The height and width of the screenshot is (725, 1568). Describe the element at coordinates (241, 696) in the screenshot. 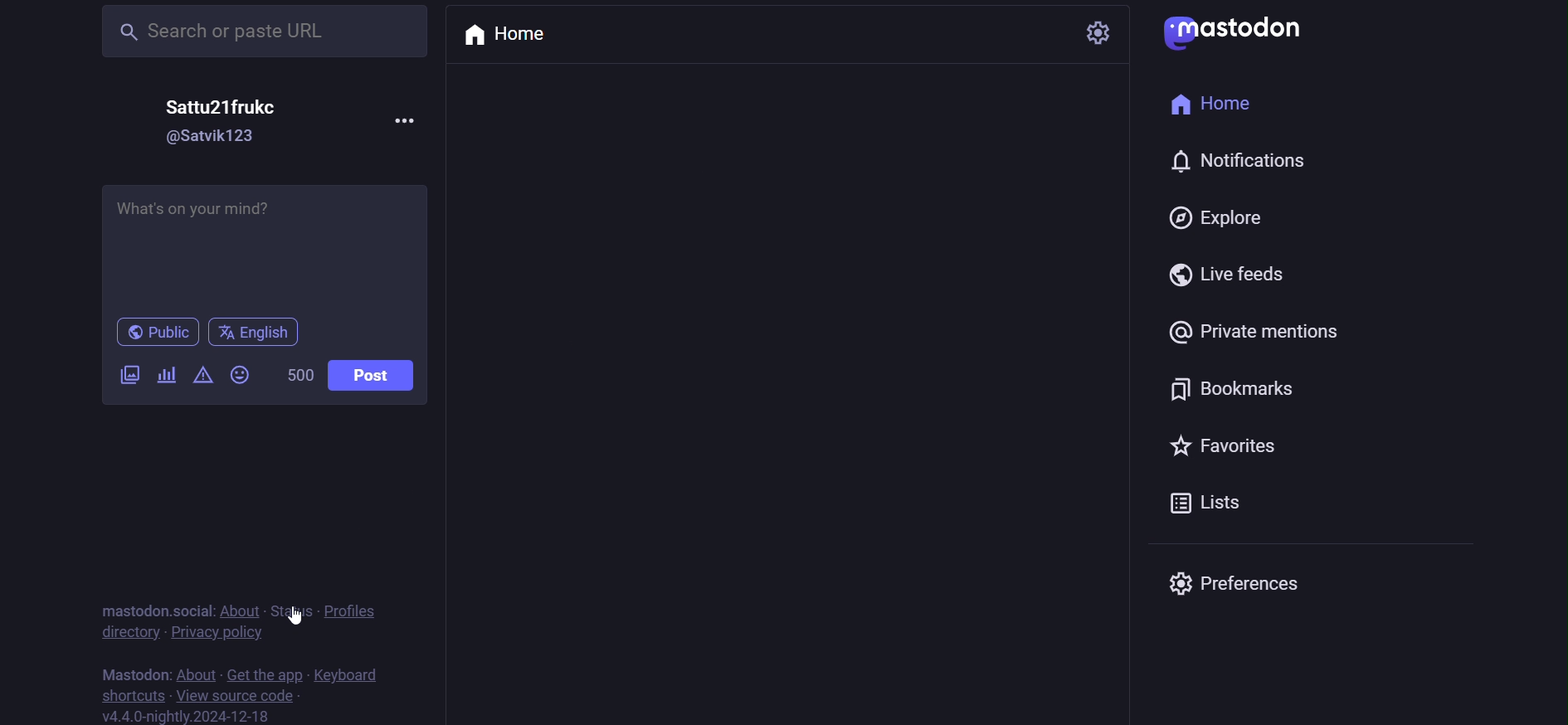

I see `source code` at that location.